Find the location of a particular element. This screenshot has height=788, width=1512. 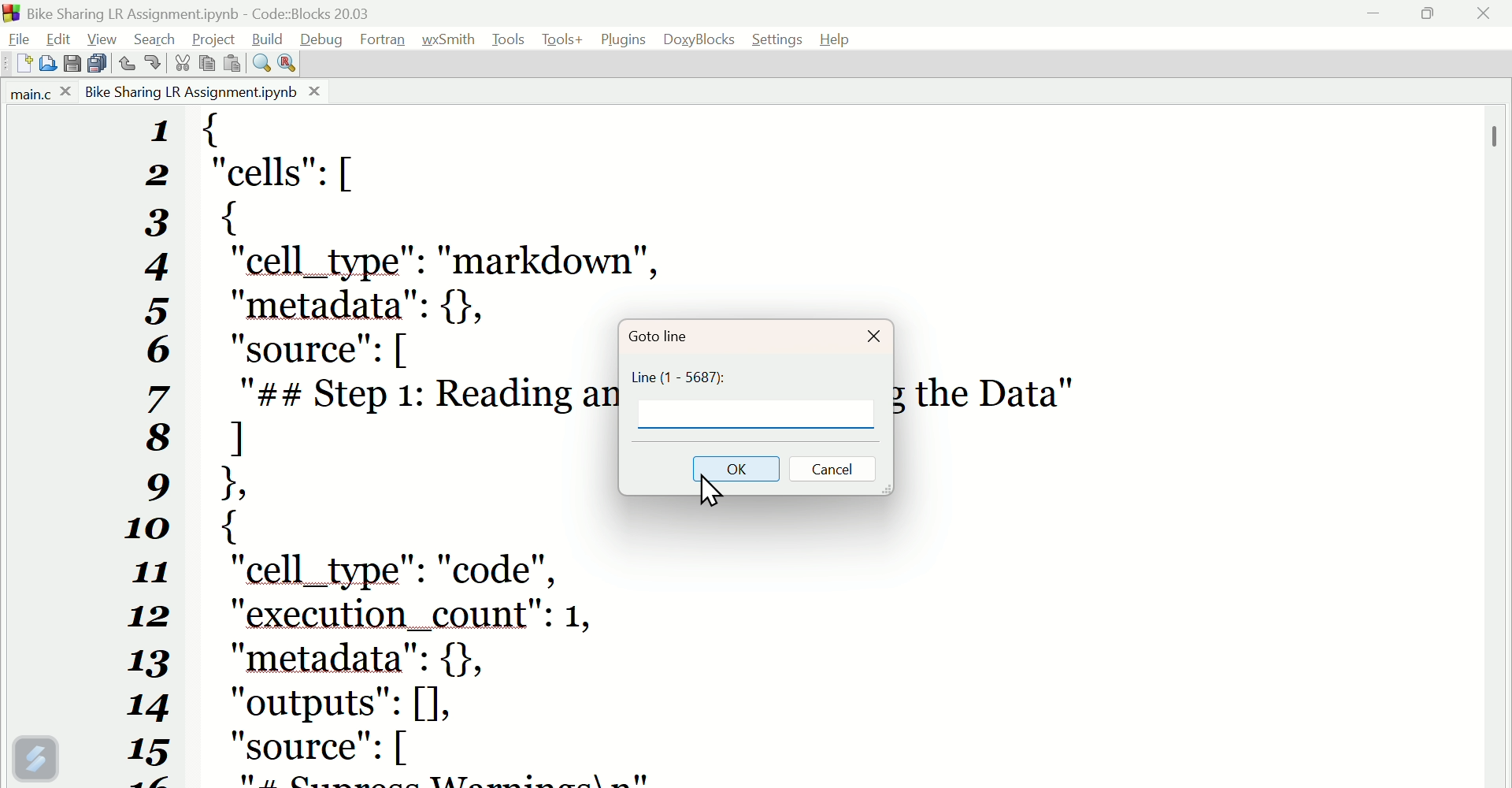

Fortran is located at coordinates (386, 40).